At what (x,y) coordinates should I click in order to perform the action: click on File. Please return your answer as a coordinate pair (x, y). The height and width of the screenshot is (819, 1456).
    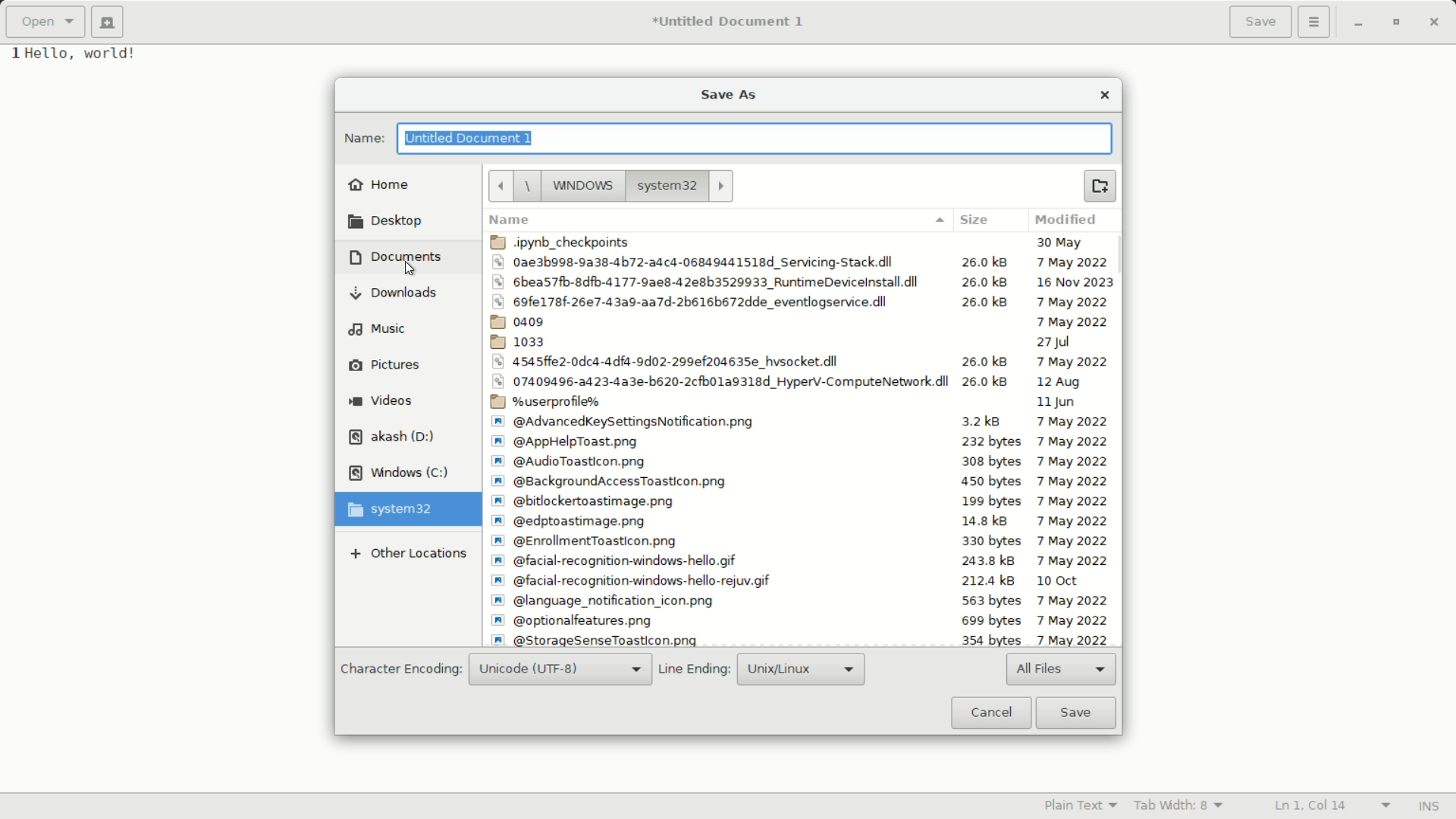
    Looking at the image, I should click on (802, 463).